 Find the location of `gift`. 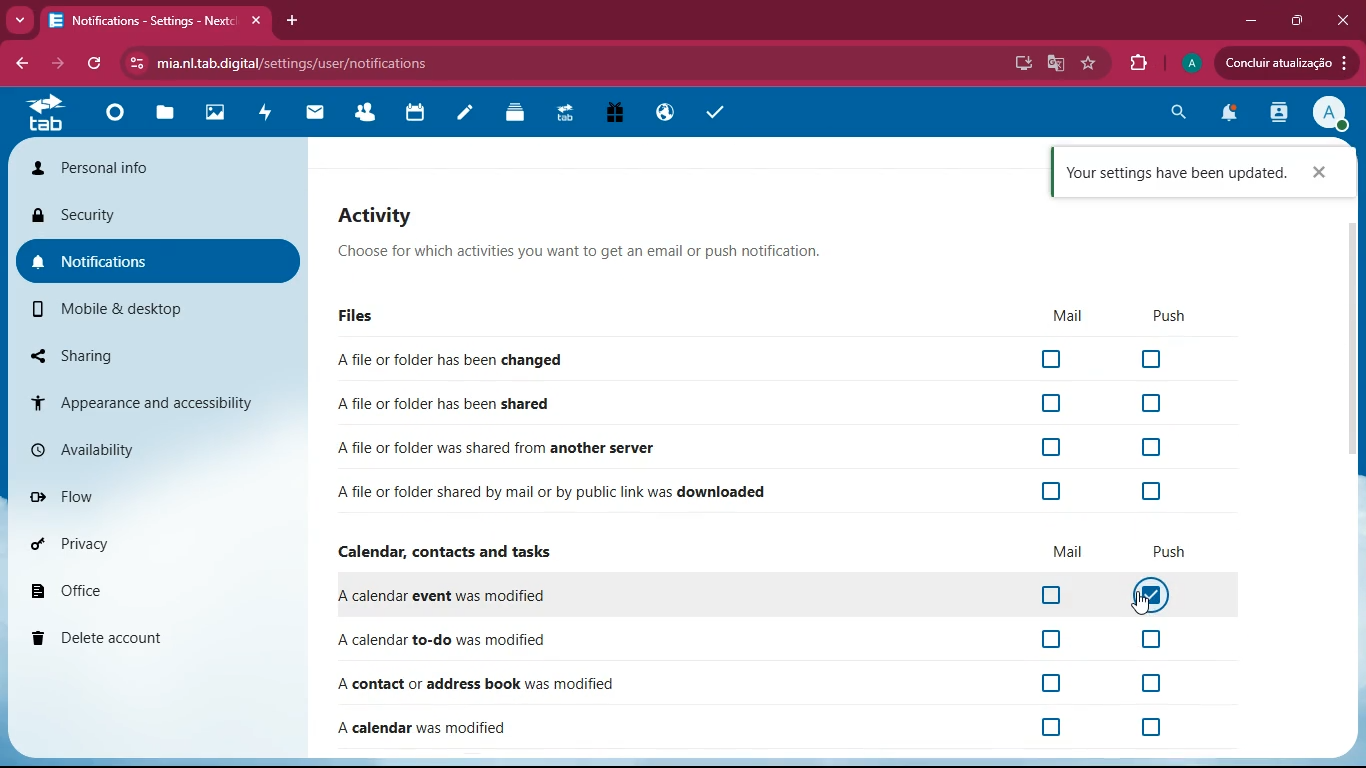

gift is located at coordinates (616, 114).